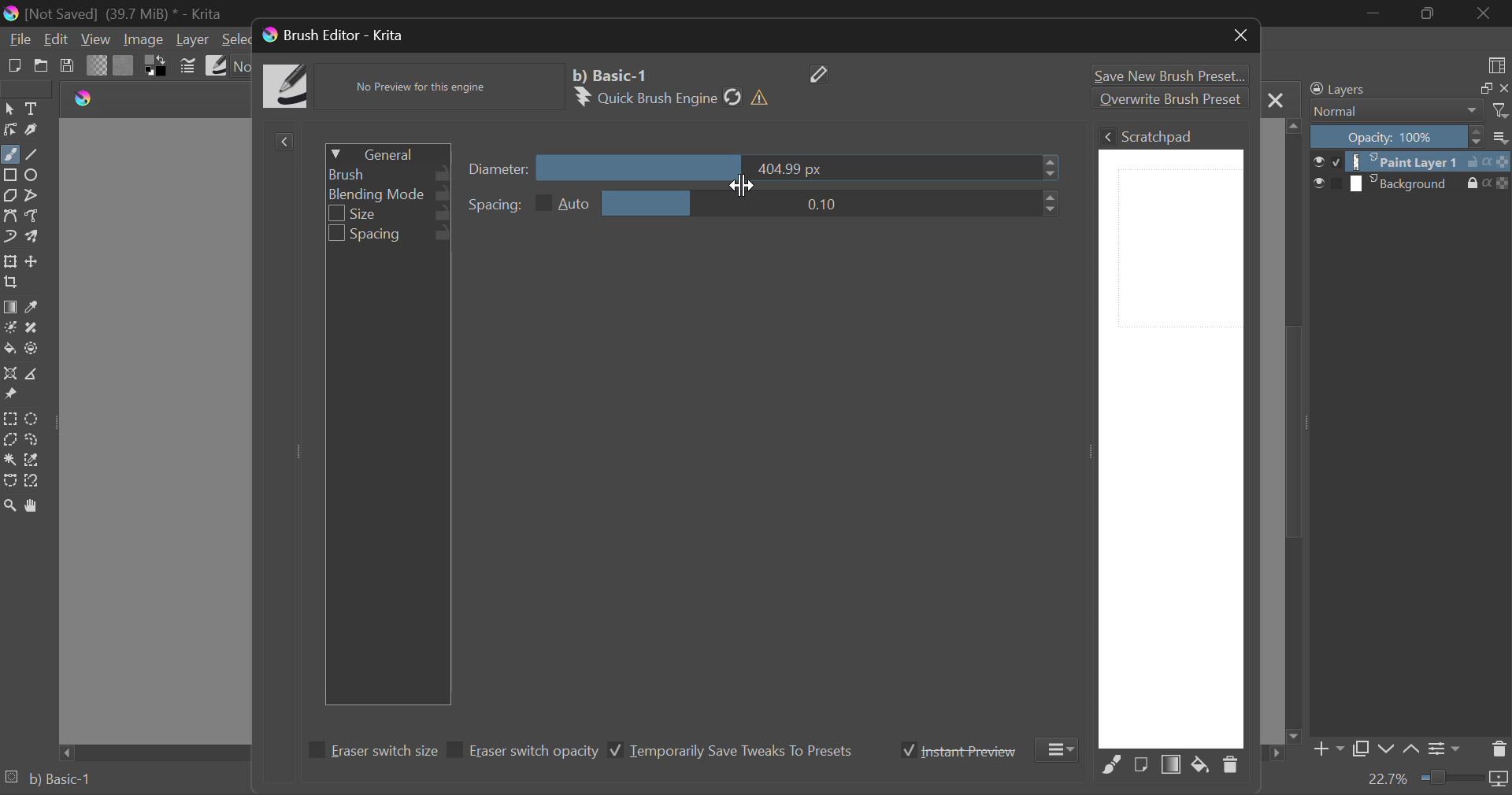 The width and height of the screenshot is (1512, 795). What do you see at coordinates (1172, 766) in the screenshot?
I see `Fill Area with Gradient` at bounding box center [1172, 766].